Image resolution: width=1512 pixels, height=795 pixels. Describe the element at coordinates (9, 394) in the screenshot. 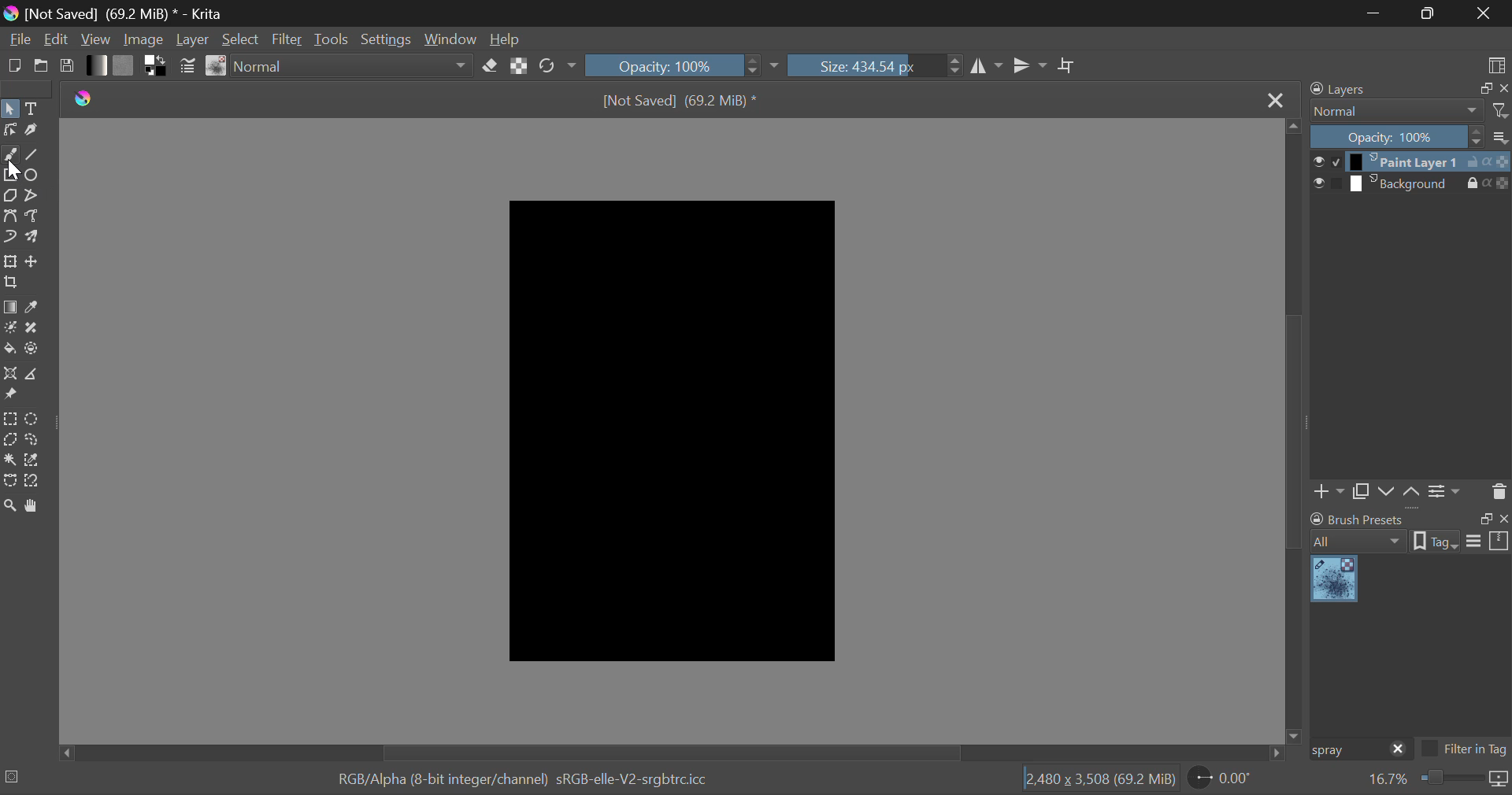

I see `Reference Images` at that location.